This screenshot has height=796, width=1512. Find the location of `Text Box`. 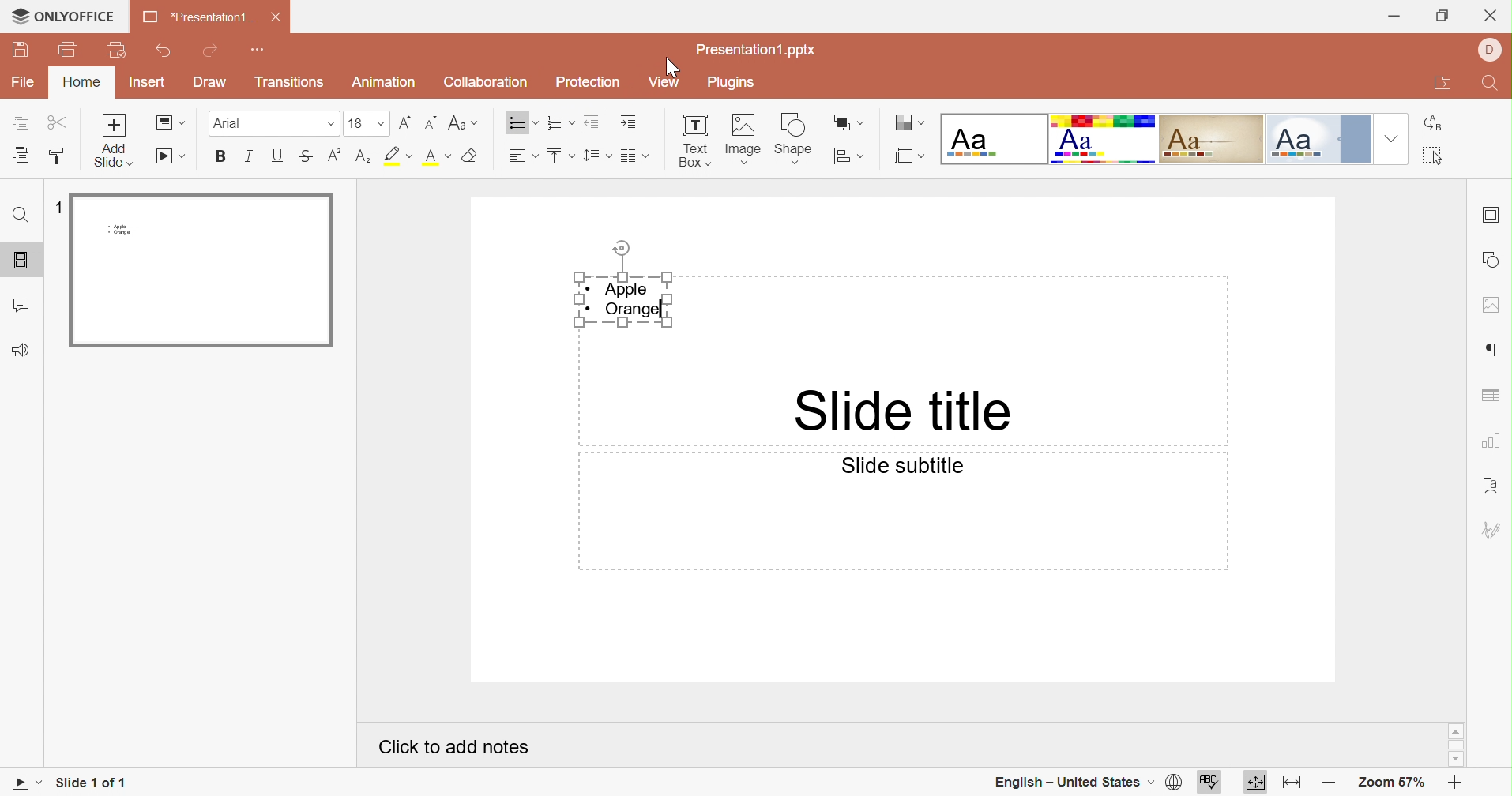

Text Box is located at coordinates (690, 142).